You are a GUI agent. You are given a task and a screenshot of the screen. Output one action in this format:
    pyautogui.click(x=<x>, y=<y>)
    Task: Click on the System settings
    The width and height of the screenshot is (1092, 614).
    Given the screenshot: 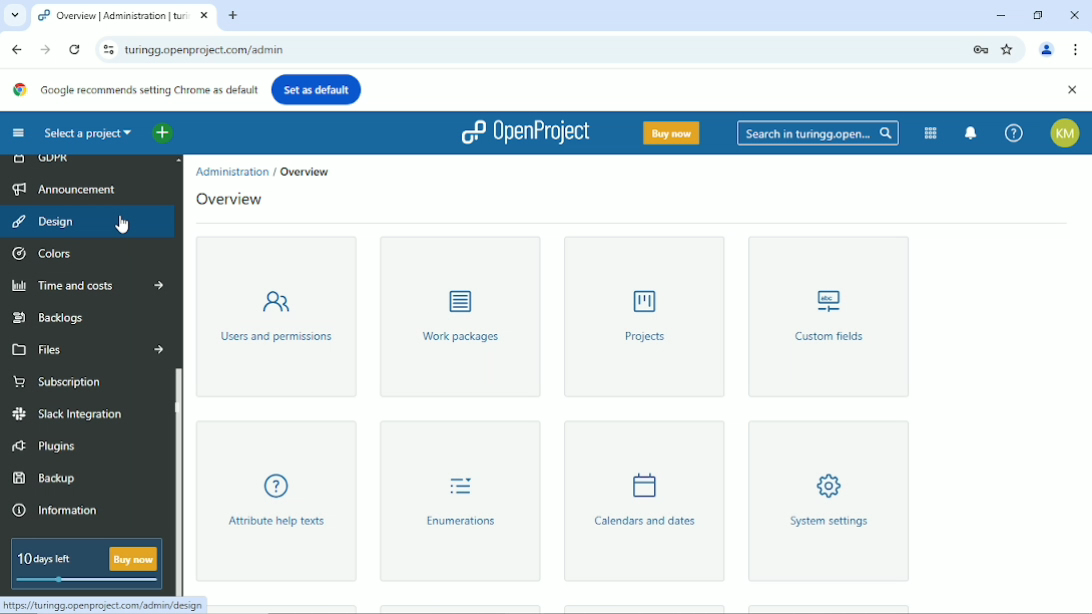 What is the action you would take?
    pyautogui.click(x=827, y=502)
    